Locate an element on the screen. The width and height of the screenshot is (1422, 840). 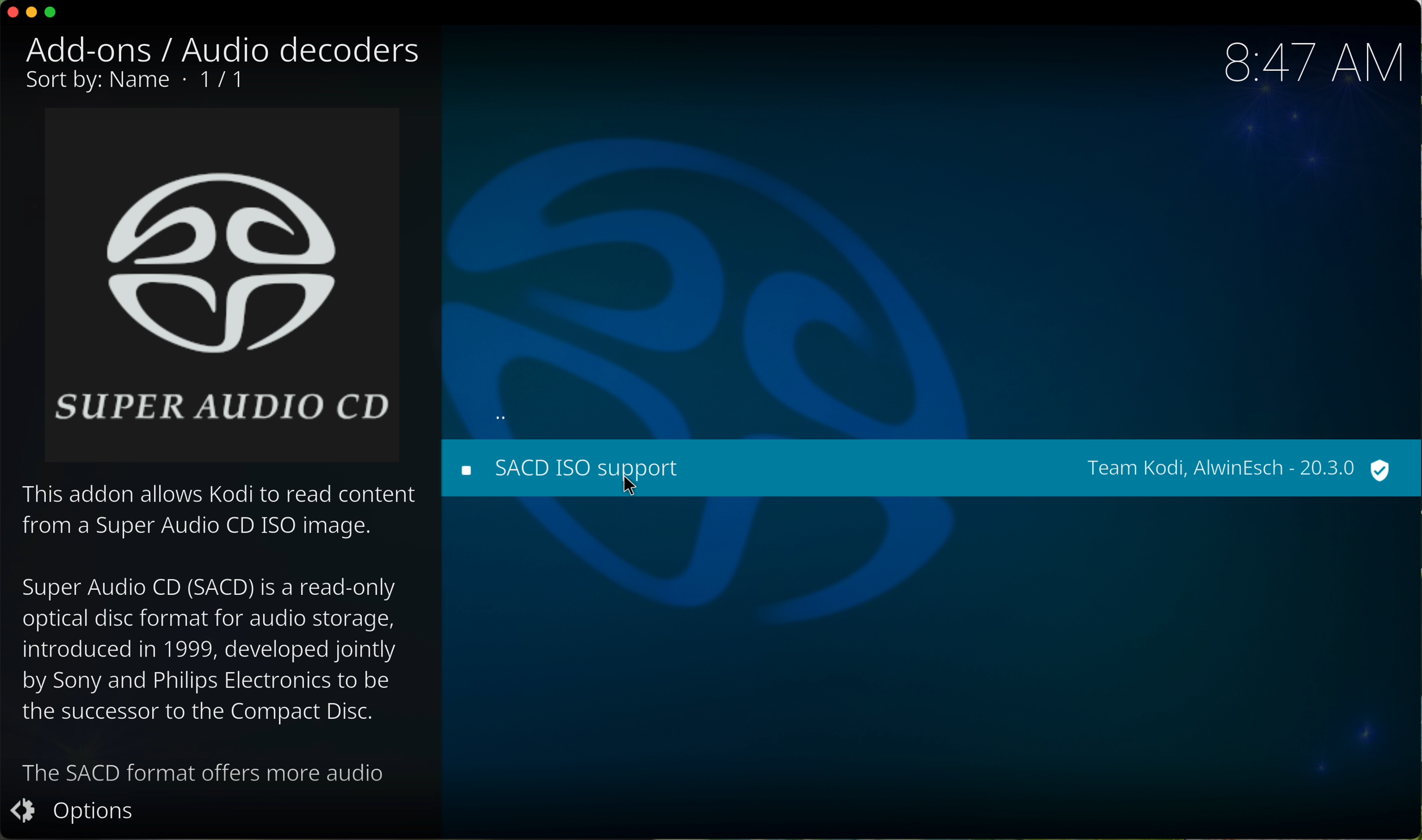
click on SACD ISO support is located at coordinates (931, 468).